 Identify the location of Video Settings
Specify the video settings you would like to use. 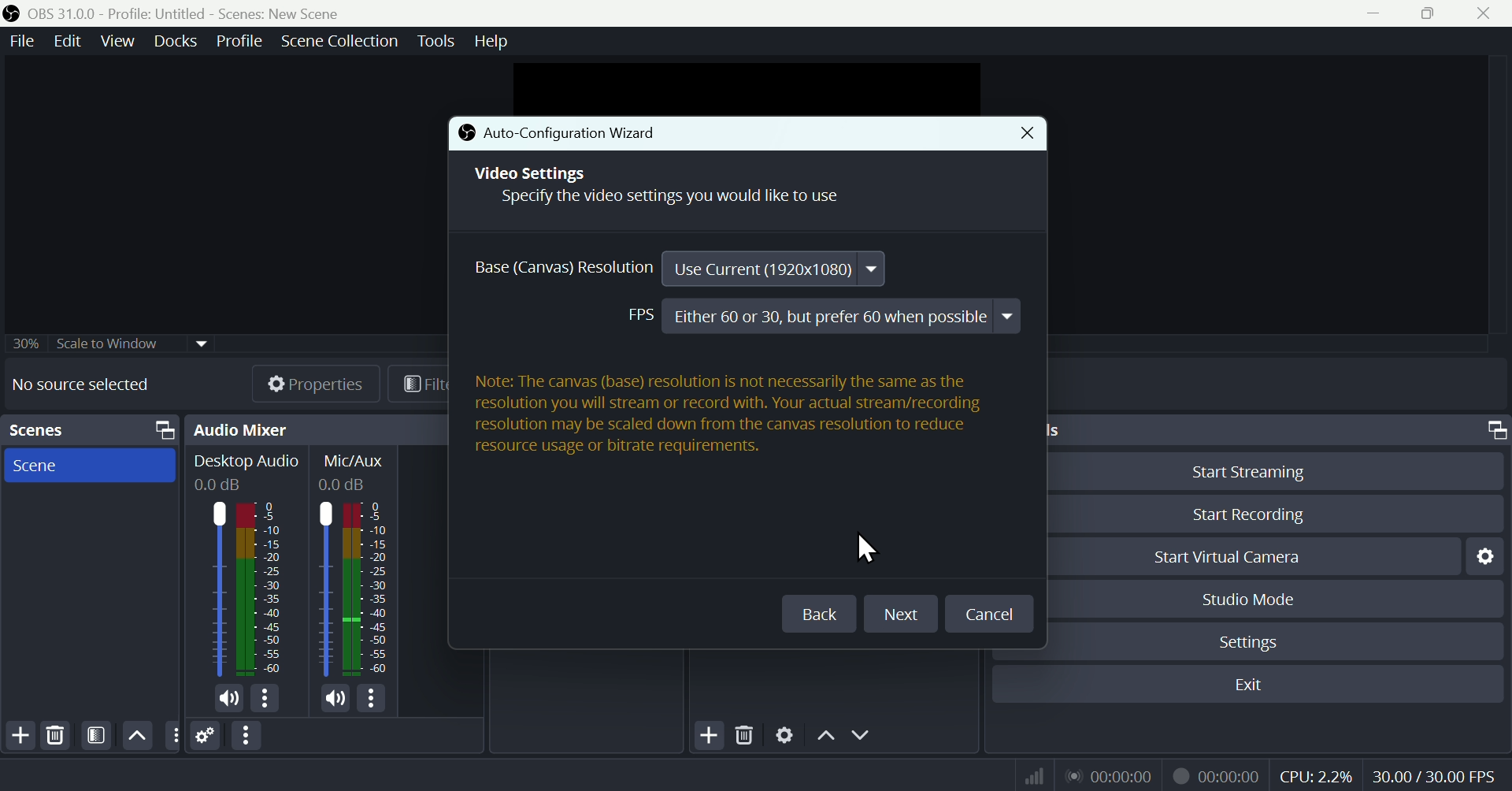
(667, 189).